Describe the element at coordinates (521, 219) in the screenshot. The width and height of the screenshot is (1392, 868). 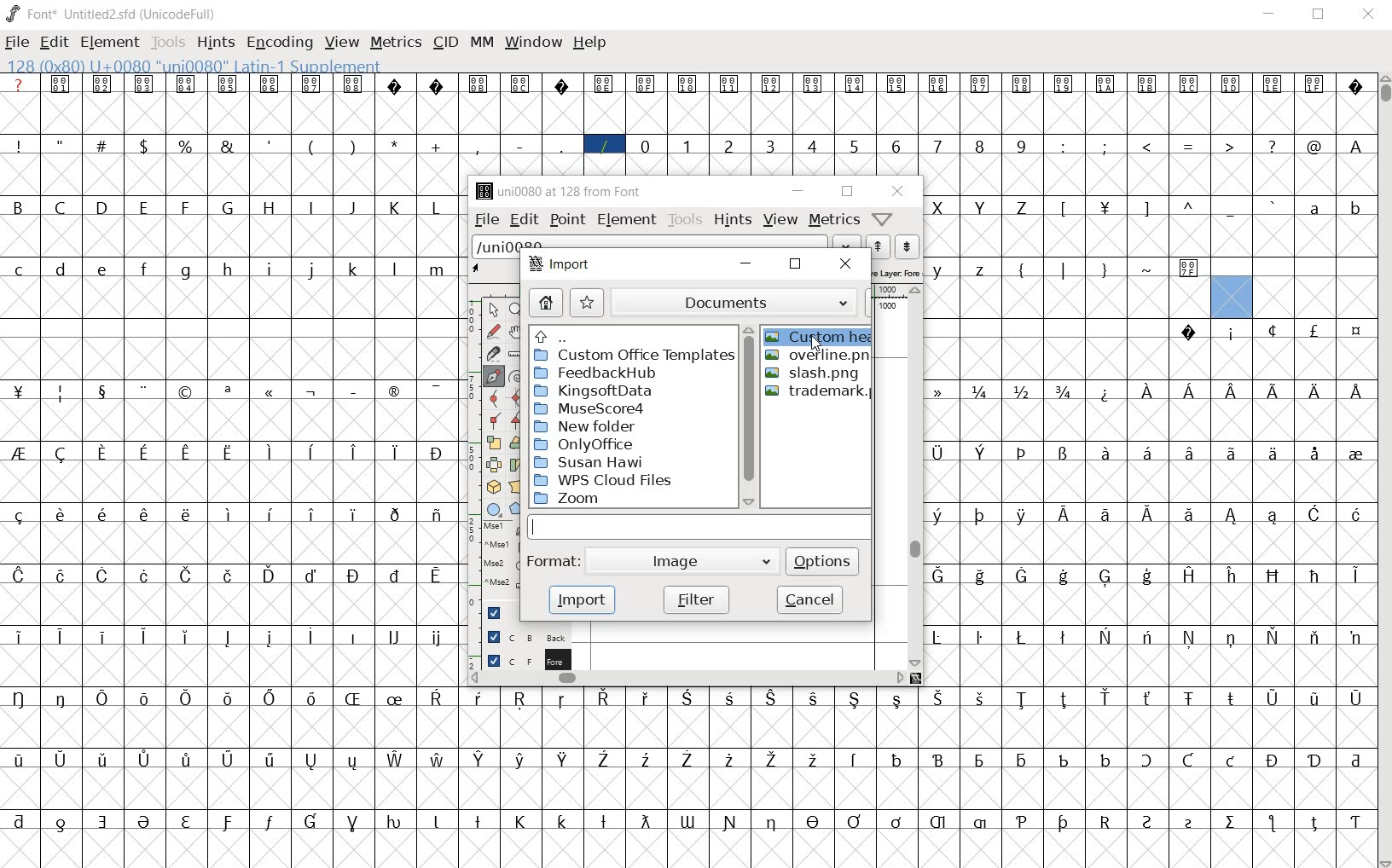
I see `edit` at that location.